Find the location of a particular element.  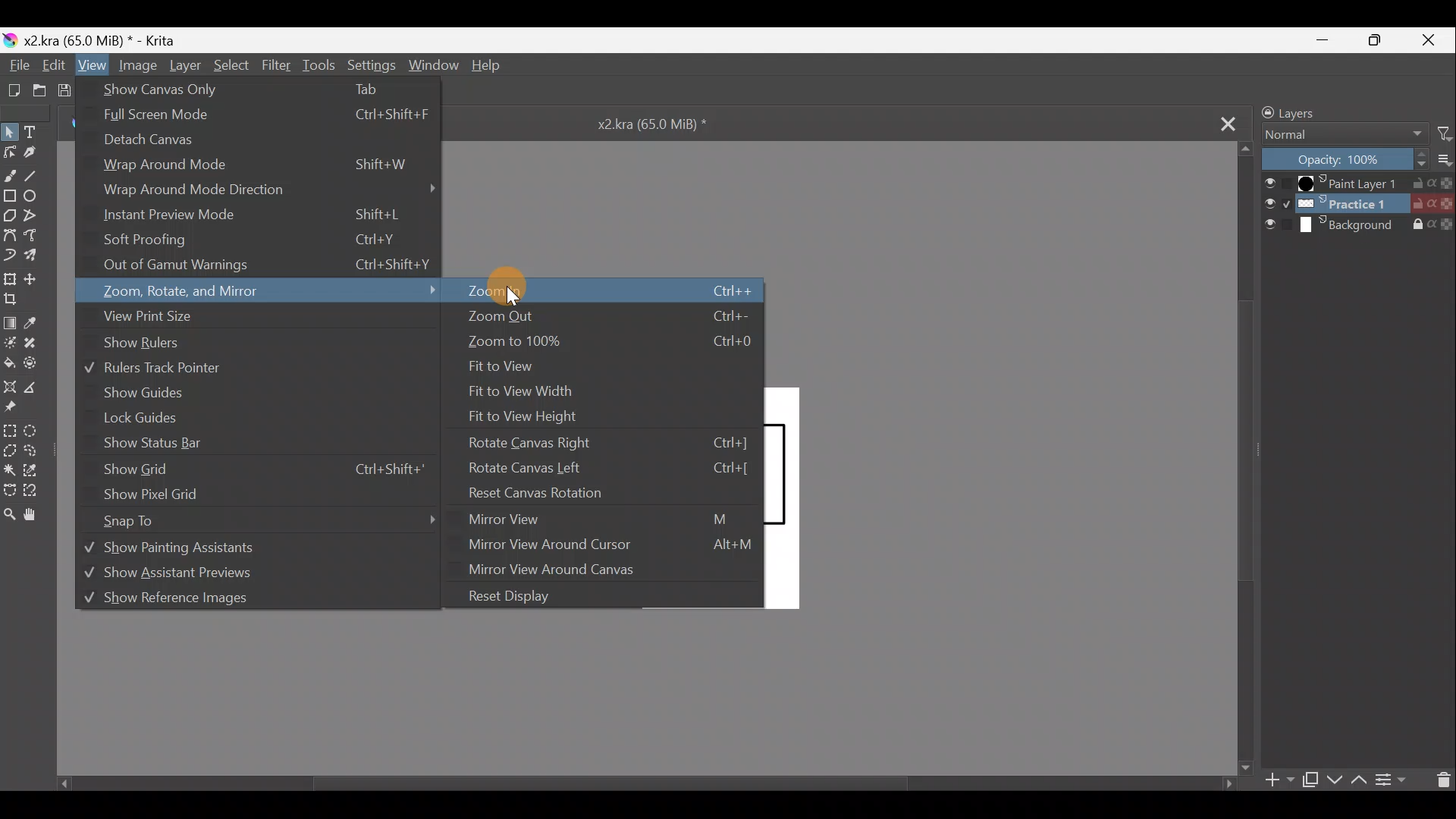

Show status bar is located at coordinates (156, 443).